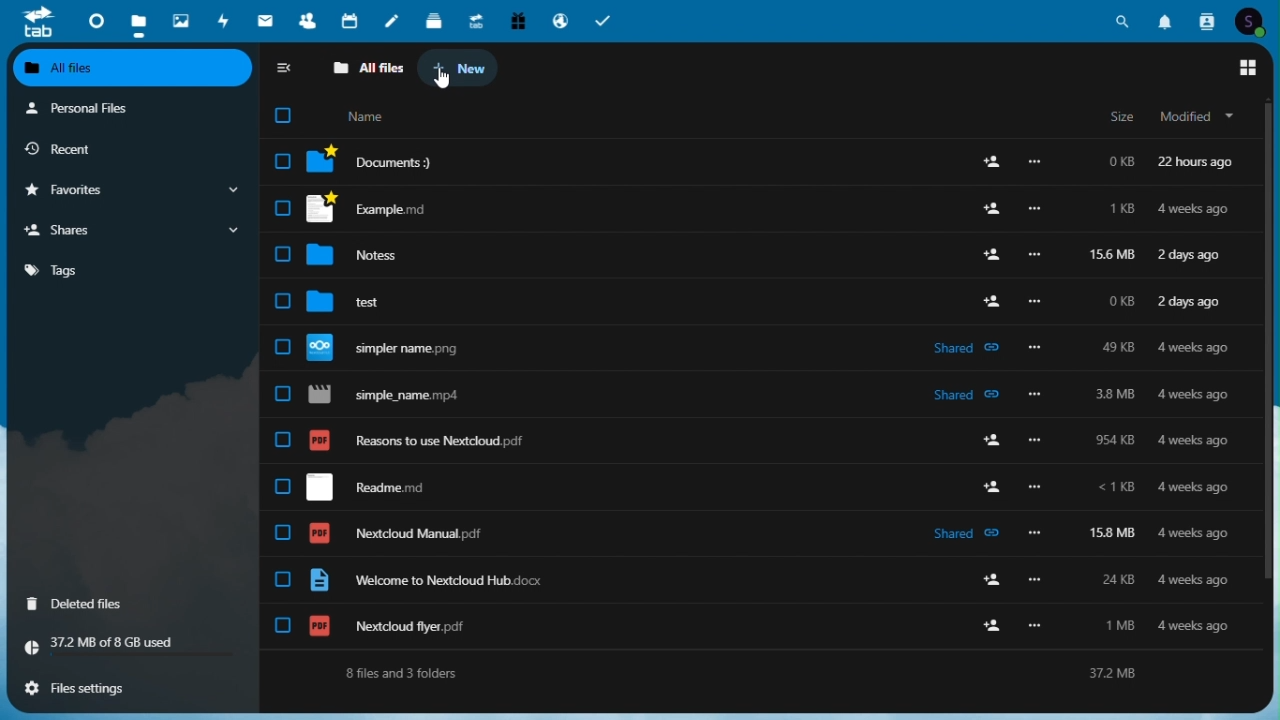 The image size is (1280, 720). I want to click on Free trial, so click(516, 20).